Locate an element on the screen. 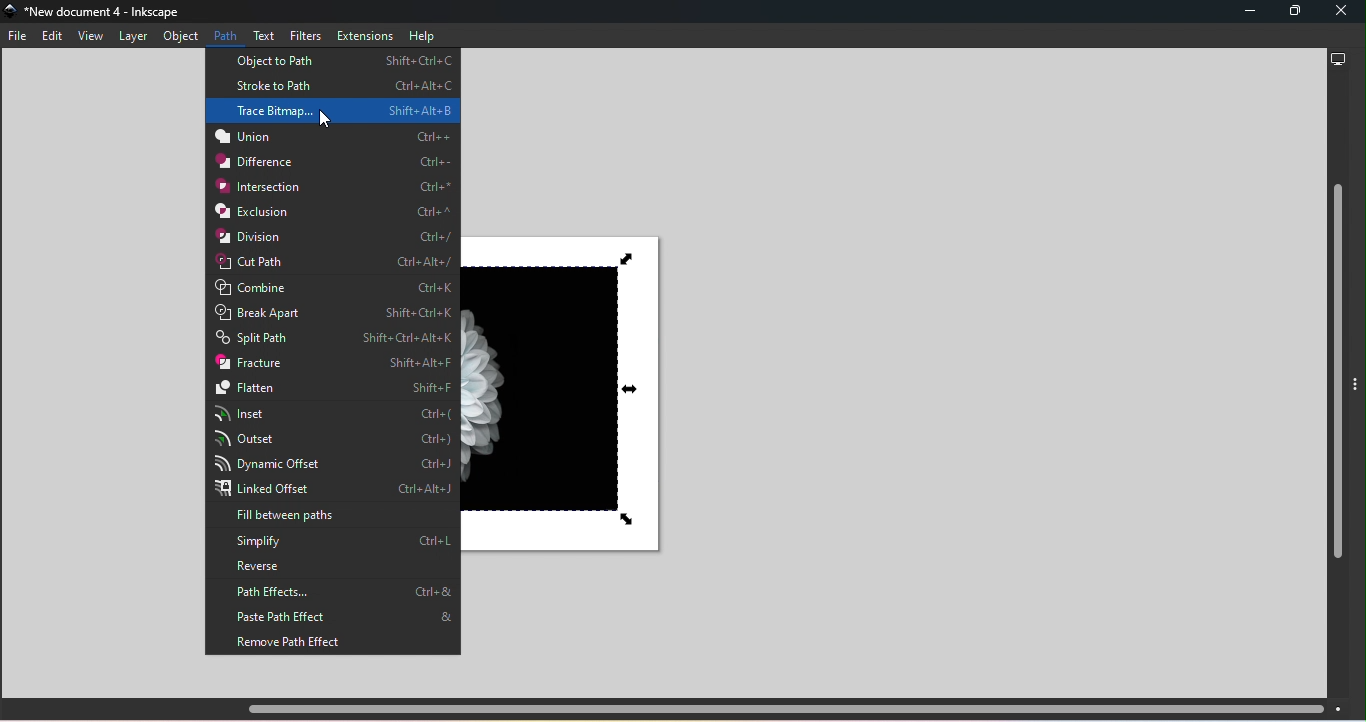  File name is located at coordinates (100, 13).